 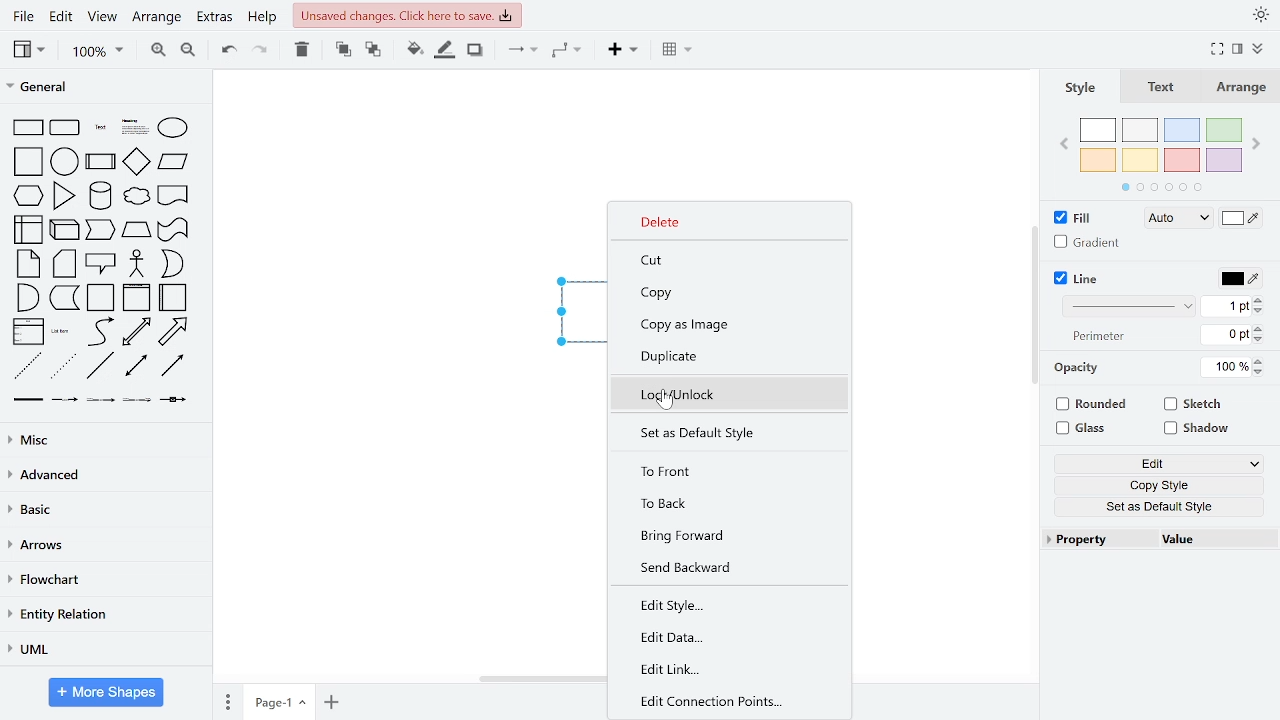 I want to click on dashed line, so click(x=26, y=365).